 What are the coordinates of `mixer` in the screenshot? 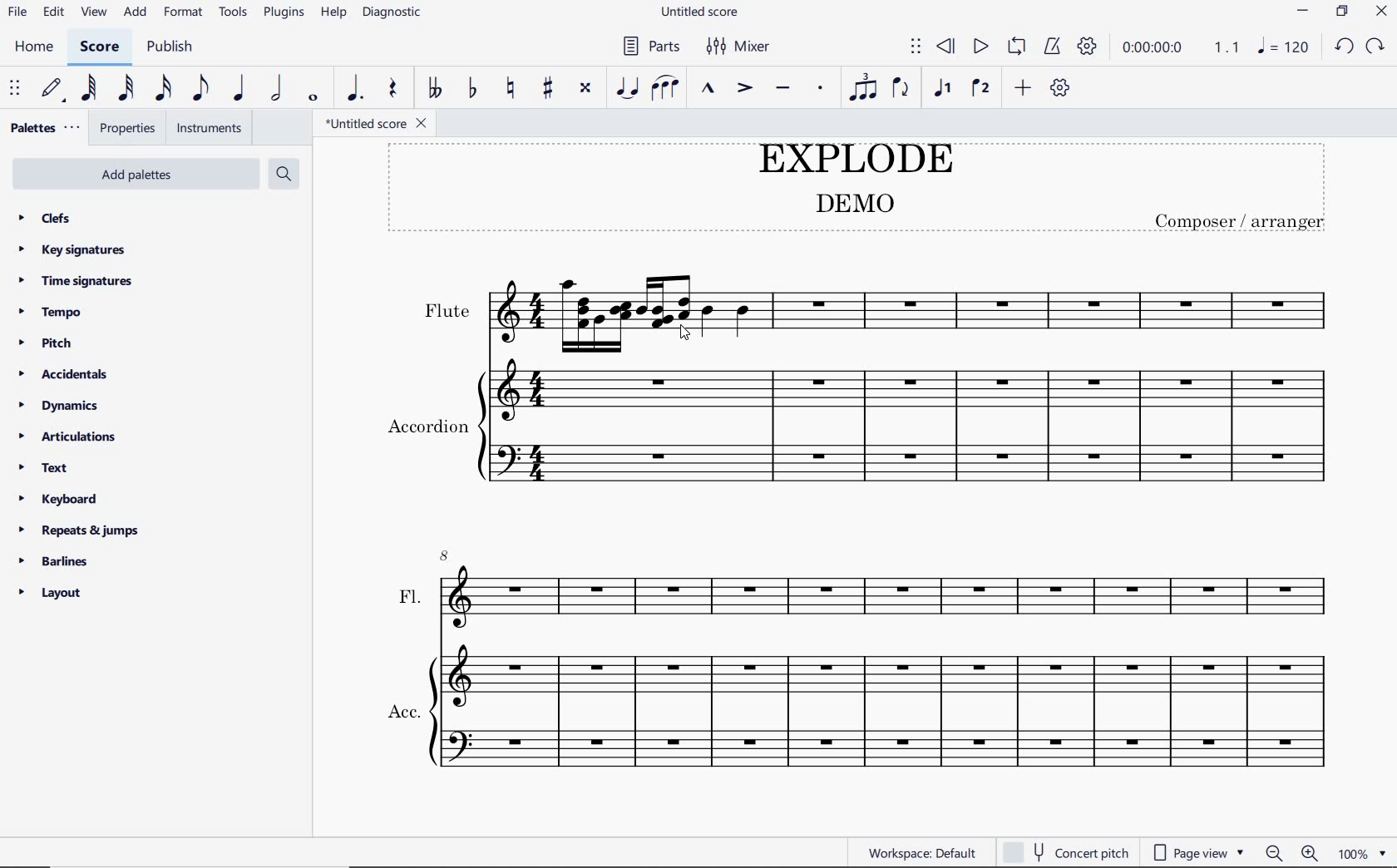 It's located at (743, 45).